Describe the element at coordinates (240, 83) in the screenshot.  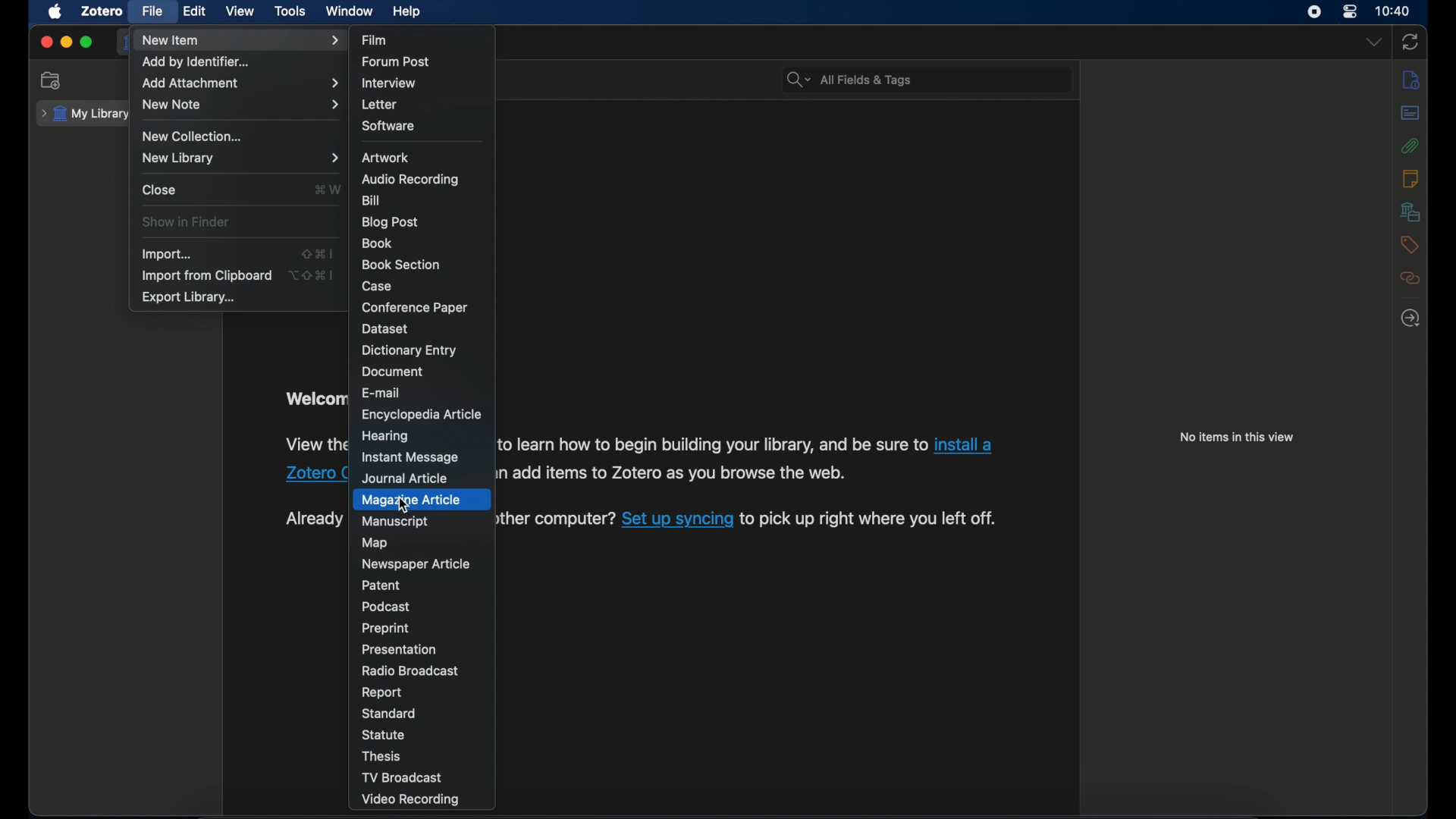
I see `add attachment` at that location.